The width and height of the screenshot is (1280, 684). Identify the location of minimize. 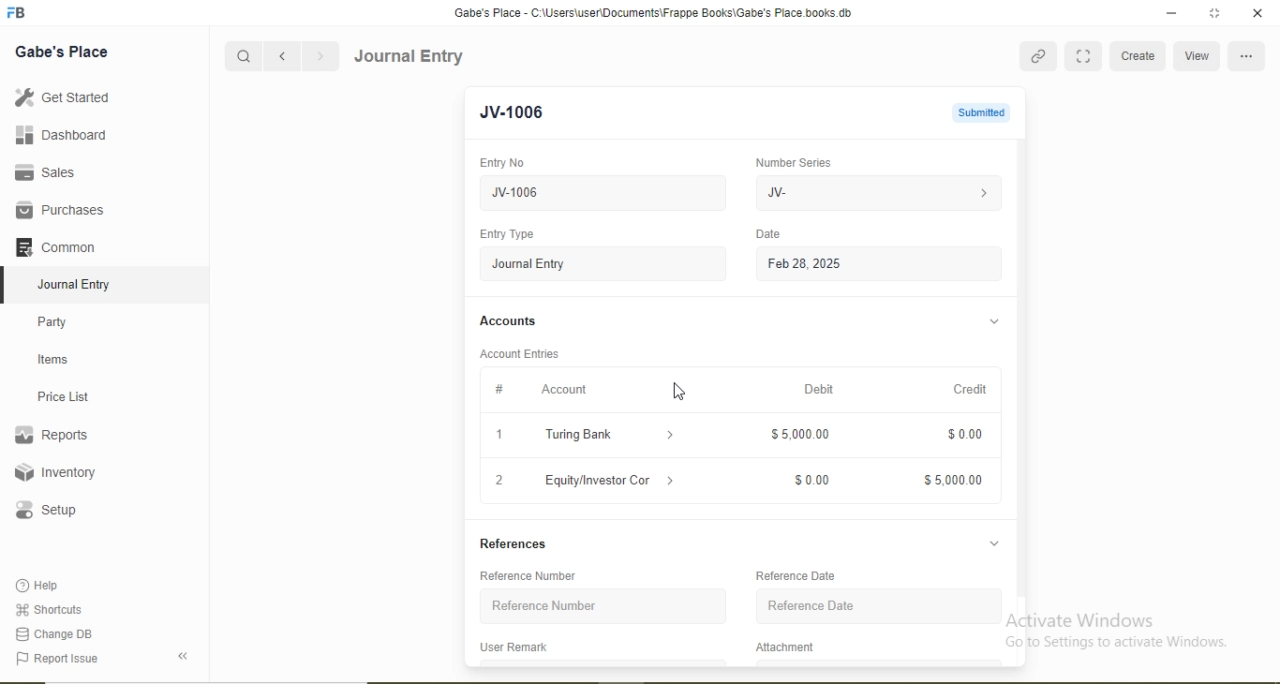
(1169, 14).